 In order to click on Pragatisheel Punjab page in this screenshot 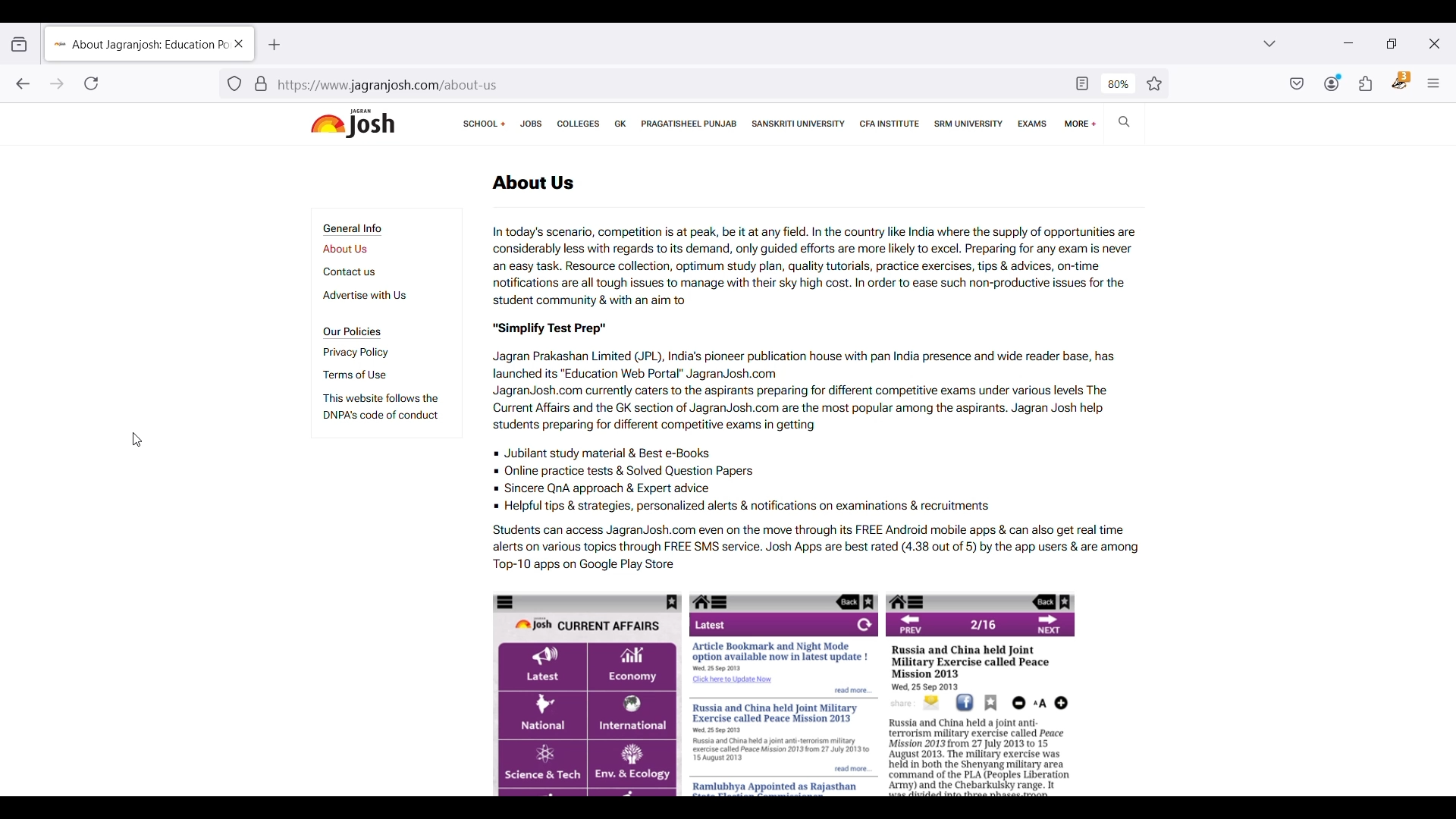, I will do `click(689, 124)`.